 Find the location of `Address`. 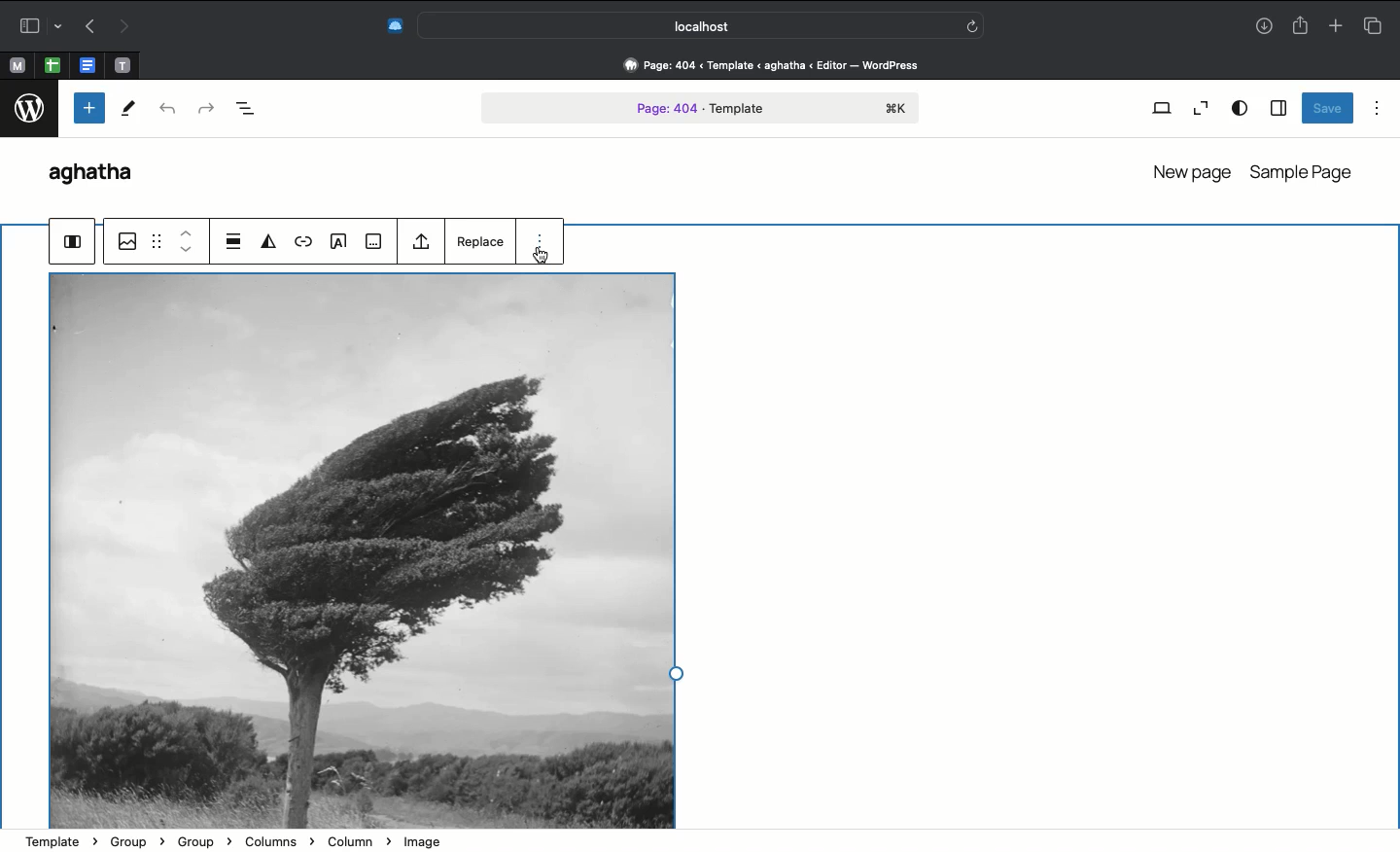

Address is located at coordinates (700, 841).